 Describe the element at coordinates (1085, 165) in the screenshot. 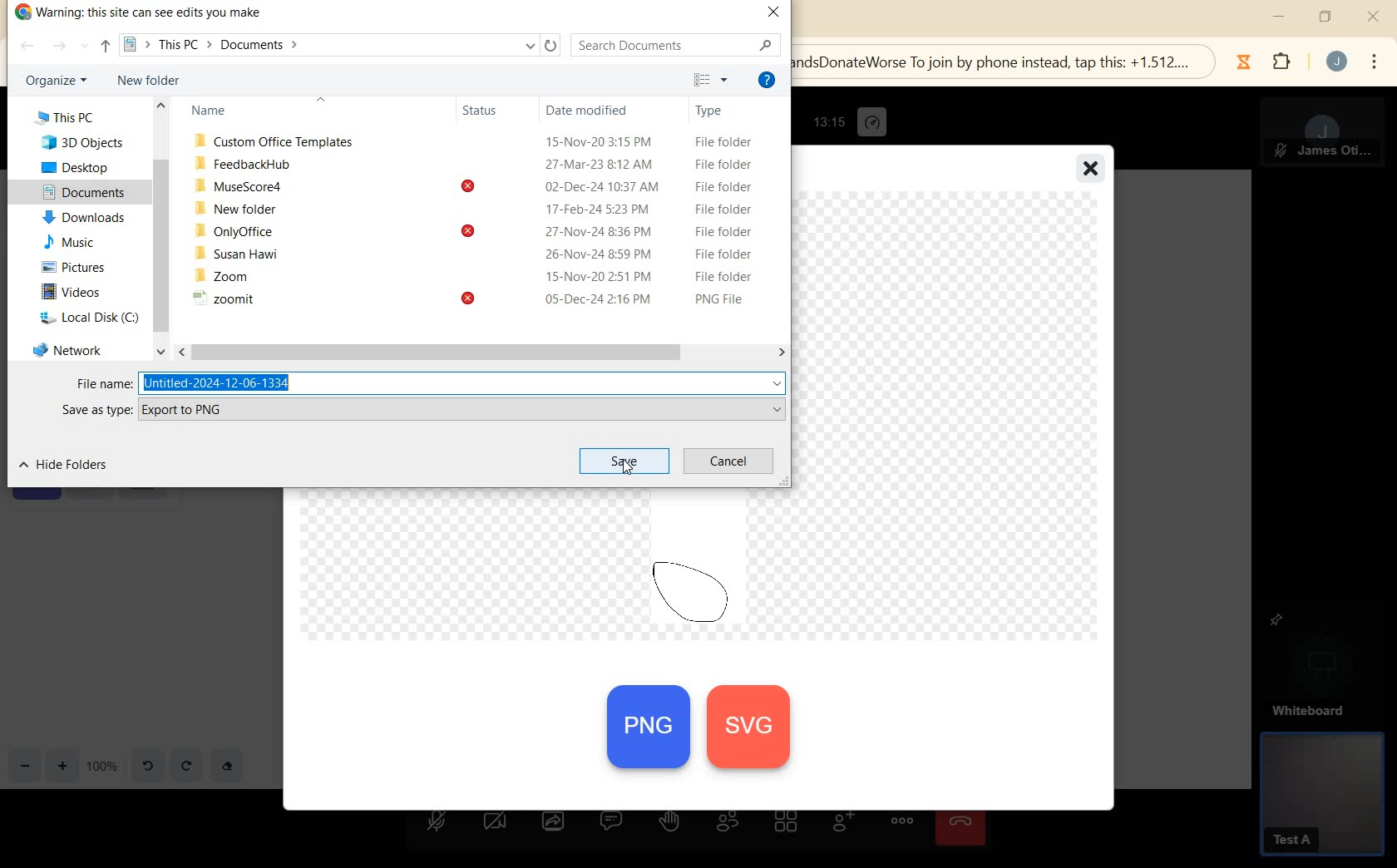

I see `close` at that location.